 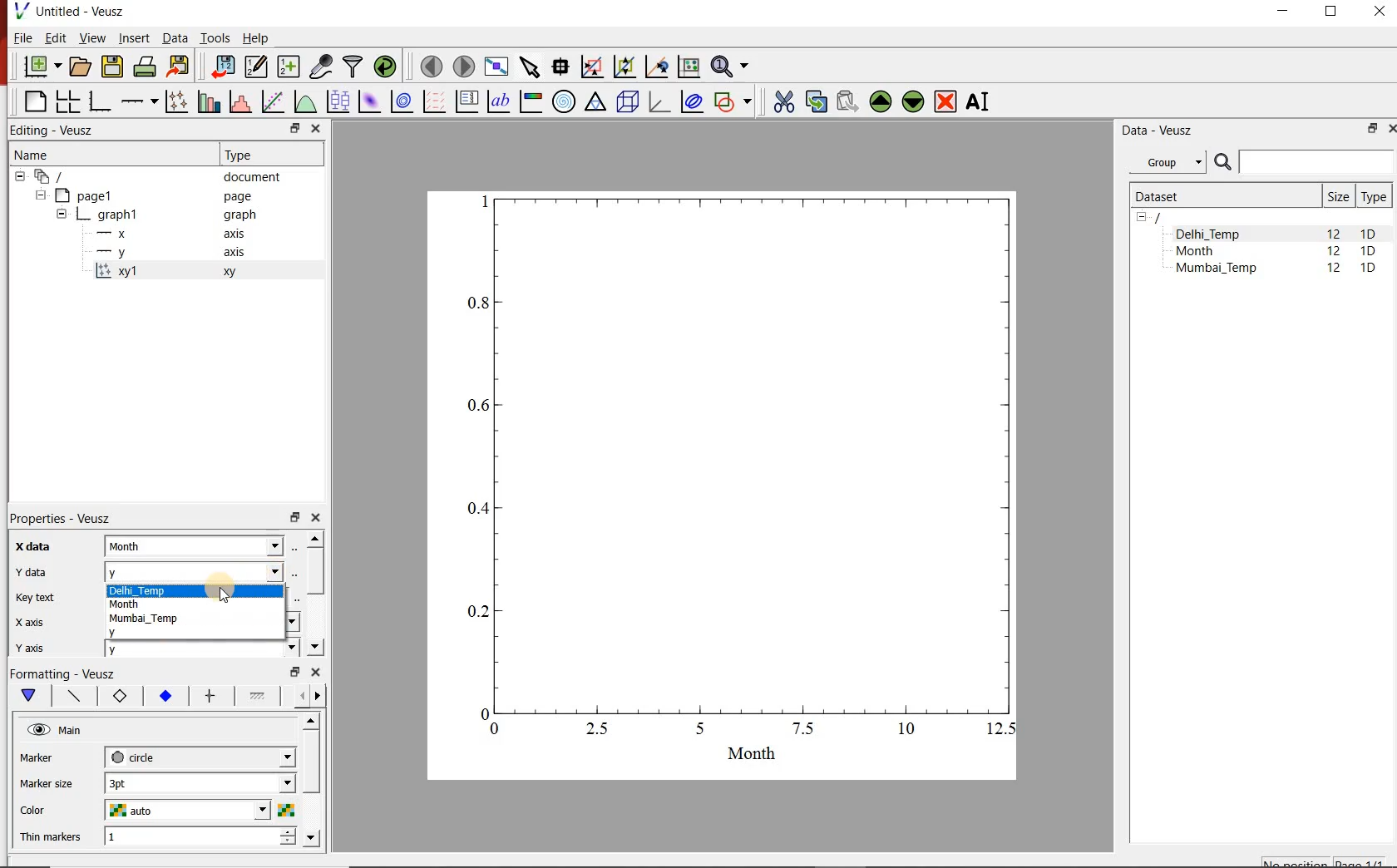 What do you see at coordinates (199, 810) in the screenshot?
I see `auto` at bounding box center [199, 810].